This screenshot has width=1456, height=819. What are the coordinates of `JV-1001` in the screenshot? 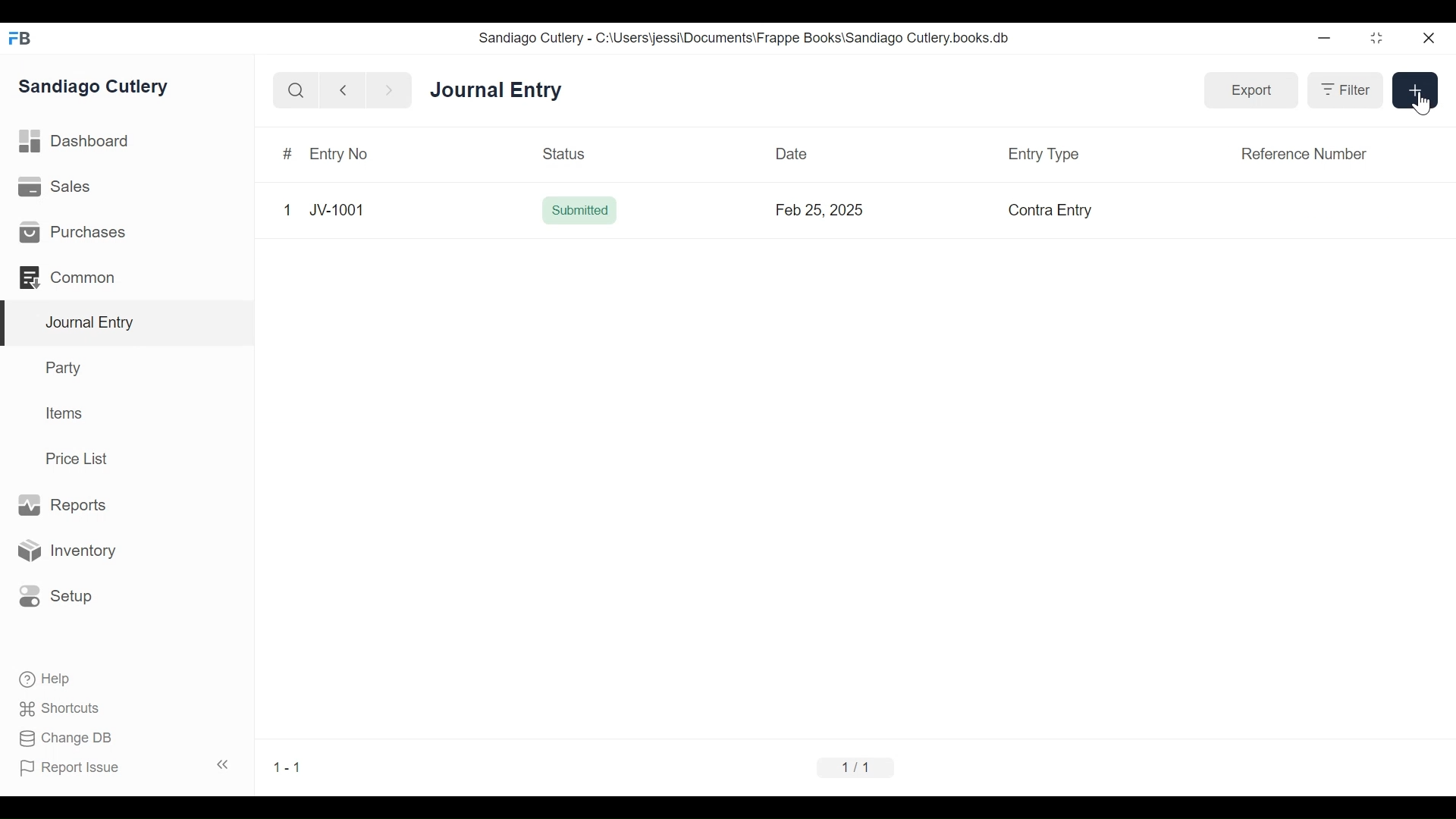 It's located at (335, 209).